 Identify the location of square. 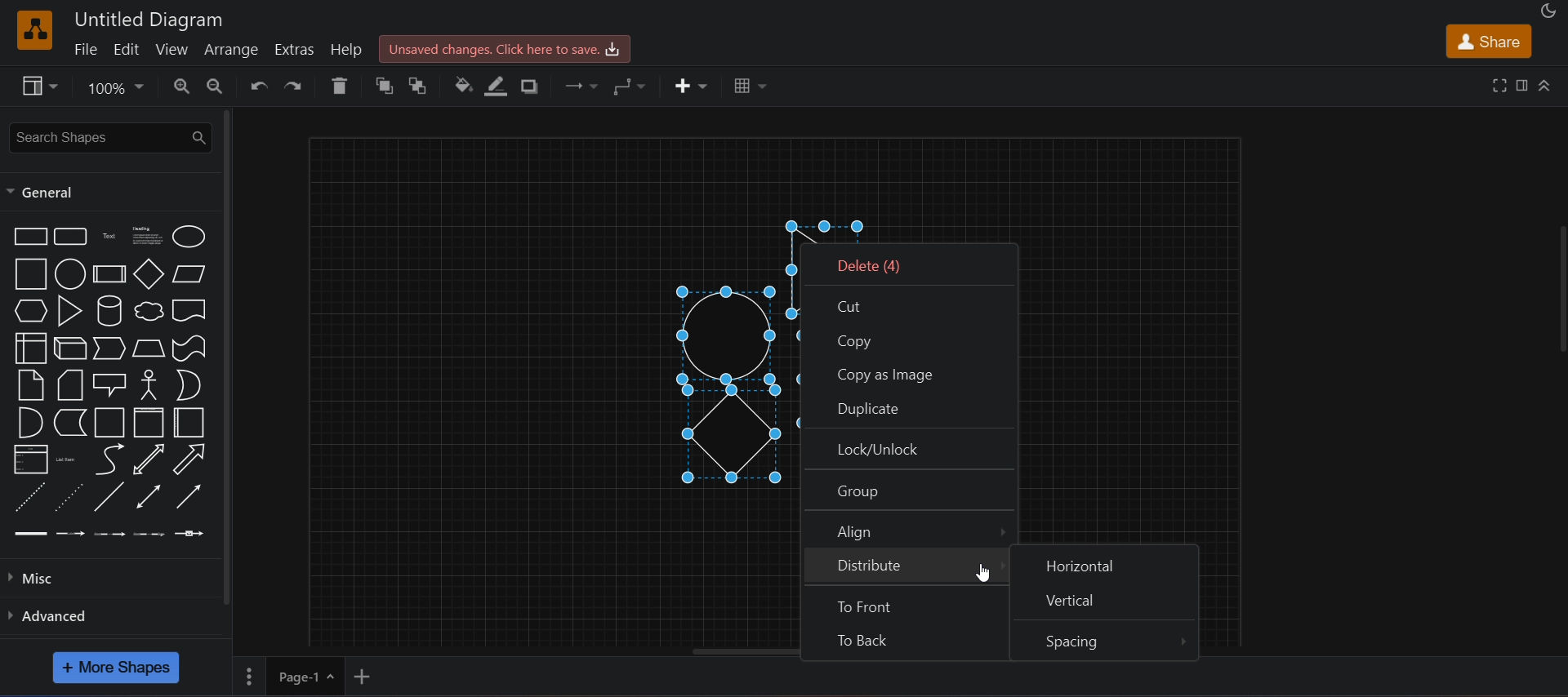
(28, 273).